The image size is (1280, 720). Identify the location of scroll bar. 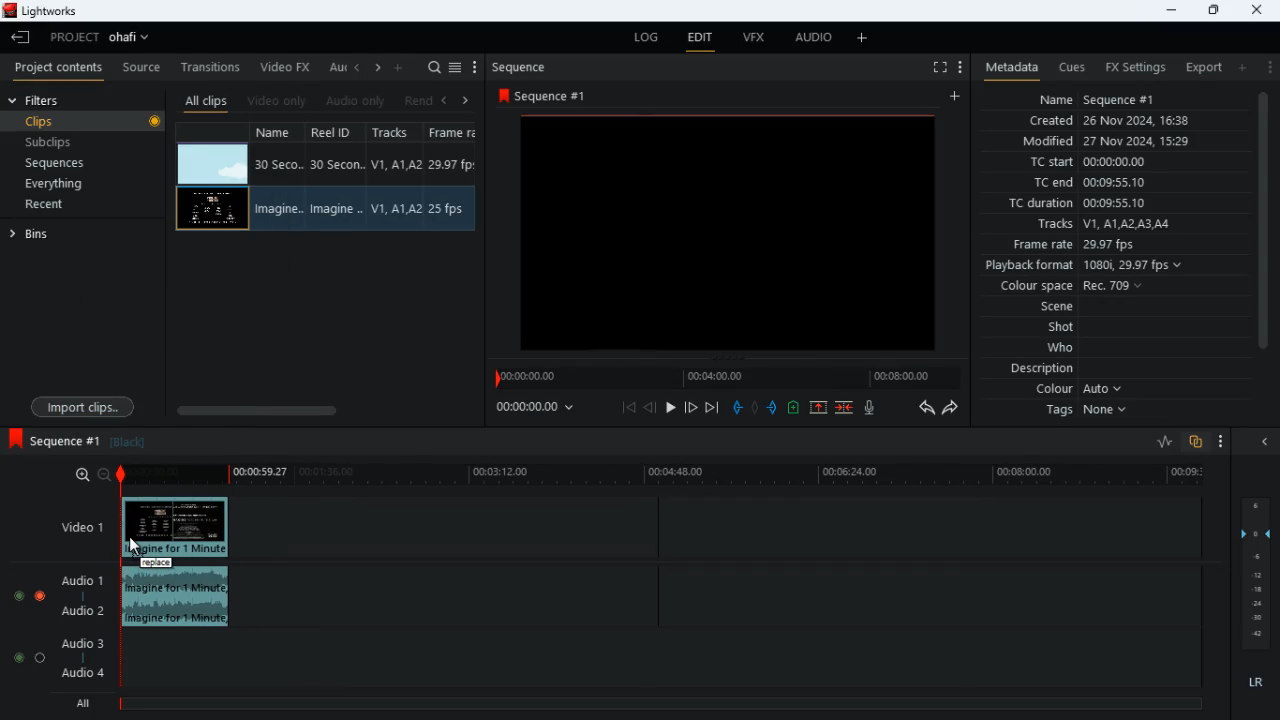
(321, 410).